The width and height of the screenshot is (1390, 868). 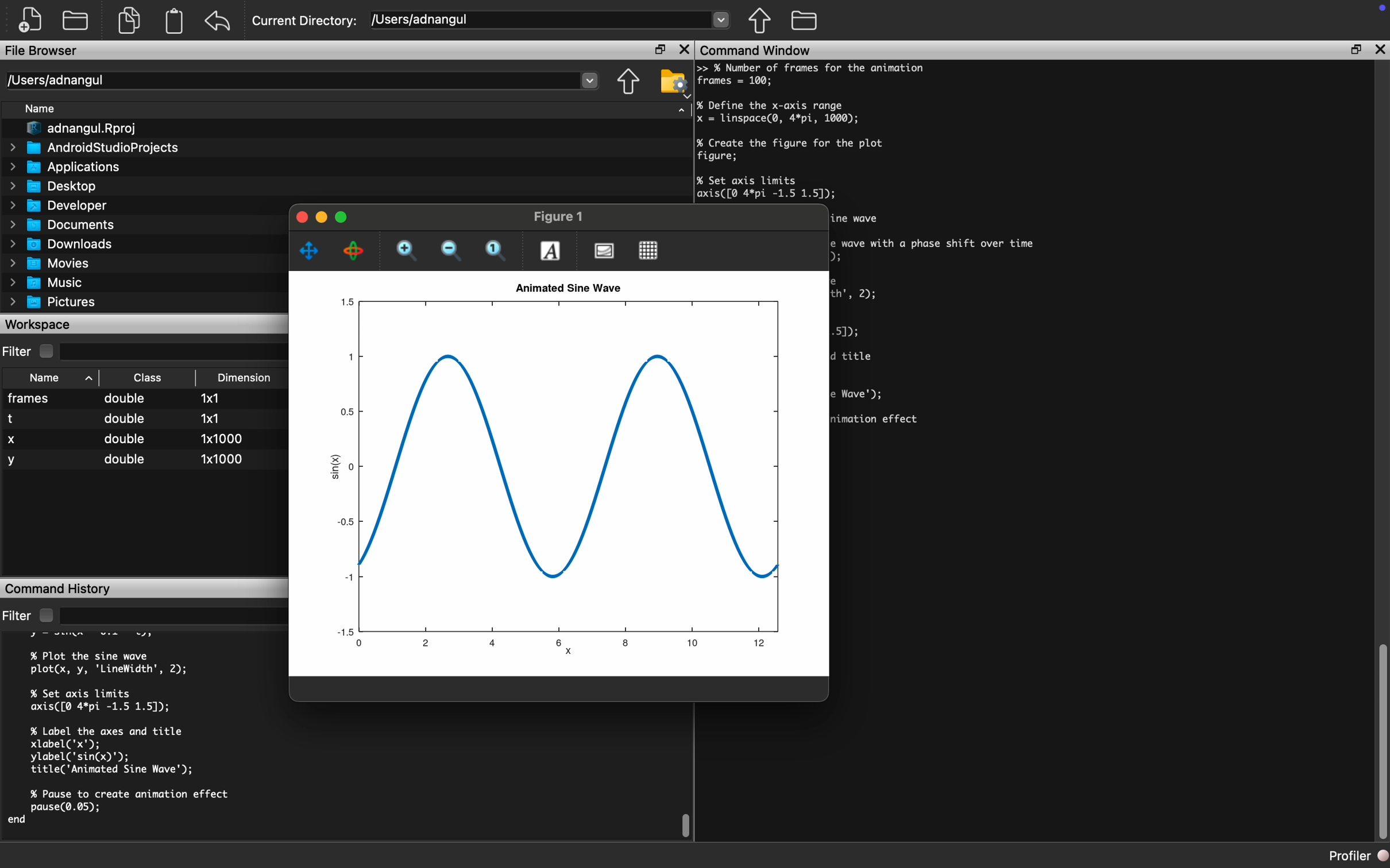 What do you see at coordinates (126, 400) in the screenshot?
I see `double` at bounding box center [126, 400].